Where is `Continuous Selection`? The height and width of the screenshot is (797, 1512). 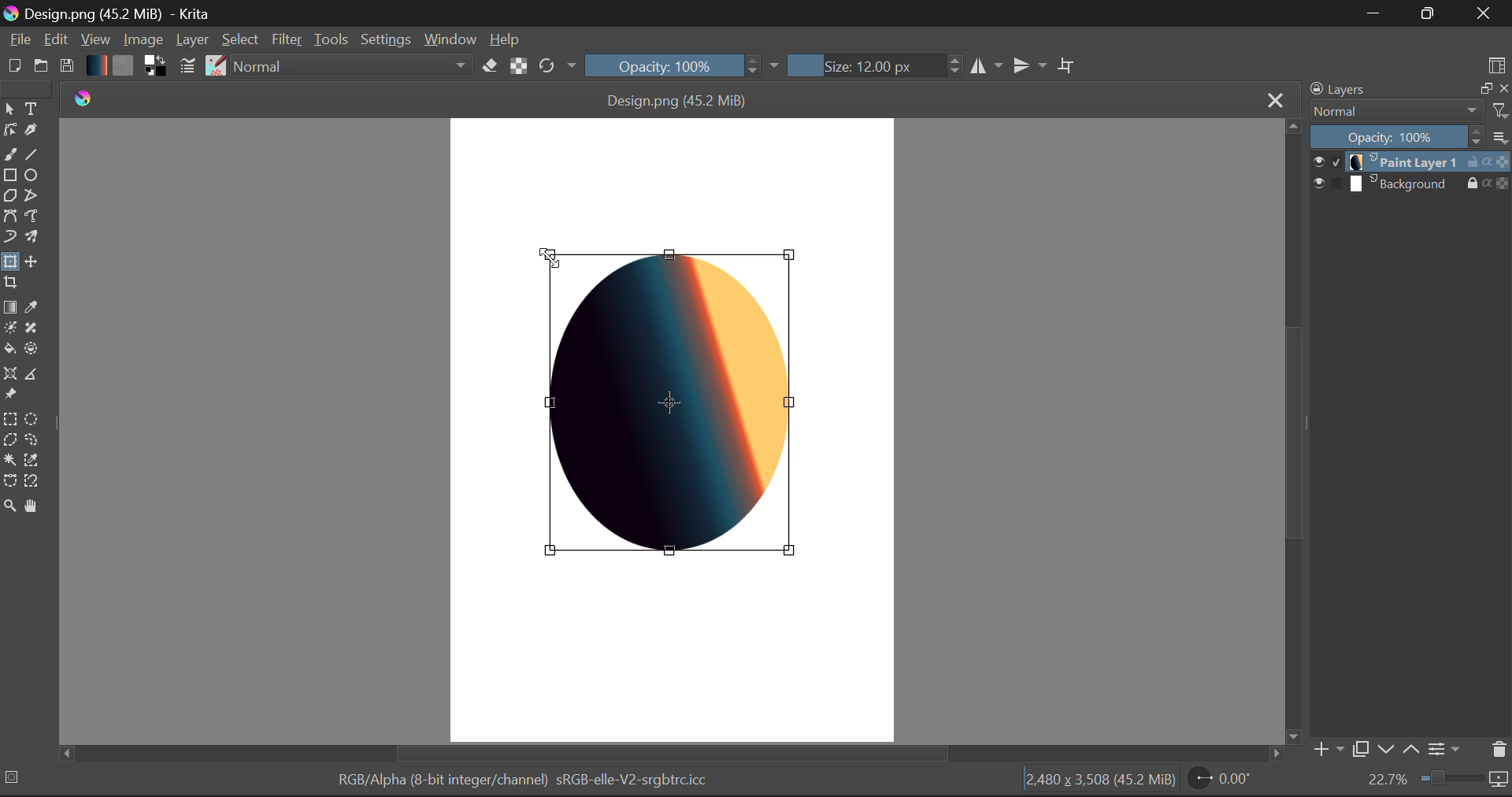
Continuous Selection is located at coordinates (9, 462).